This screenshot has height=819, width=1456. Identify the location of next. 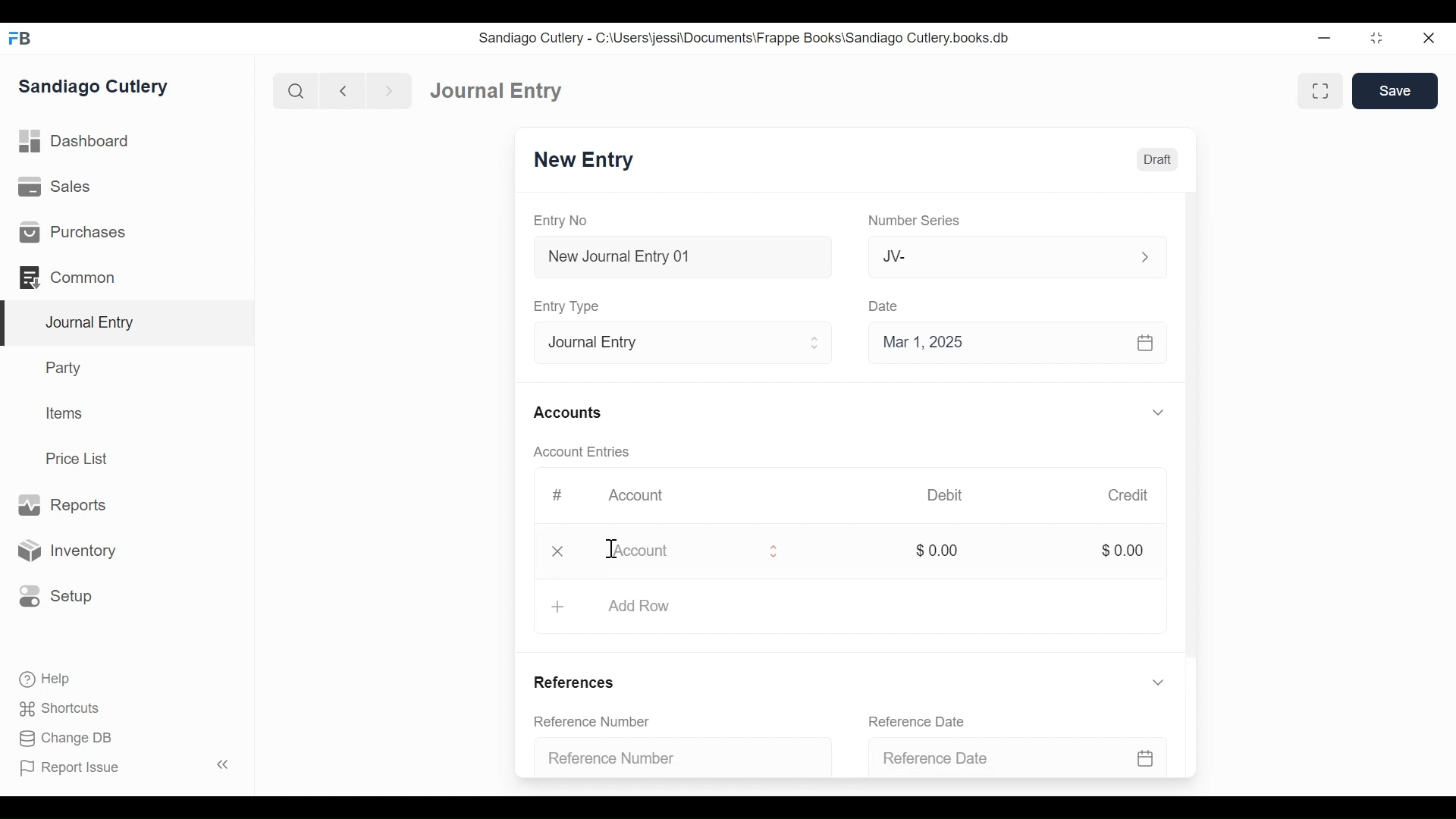
(384, 89).